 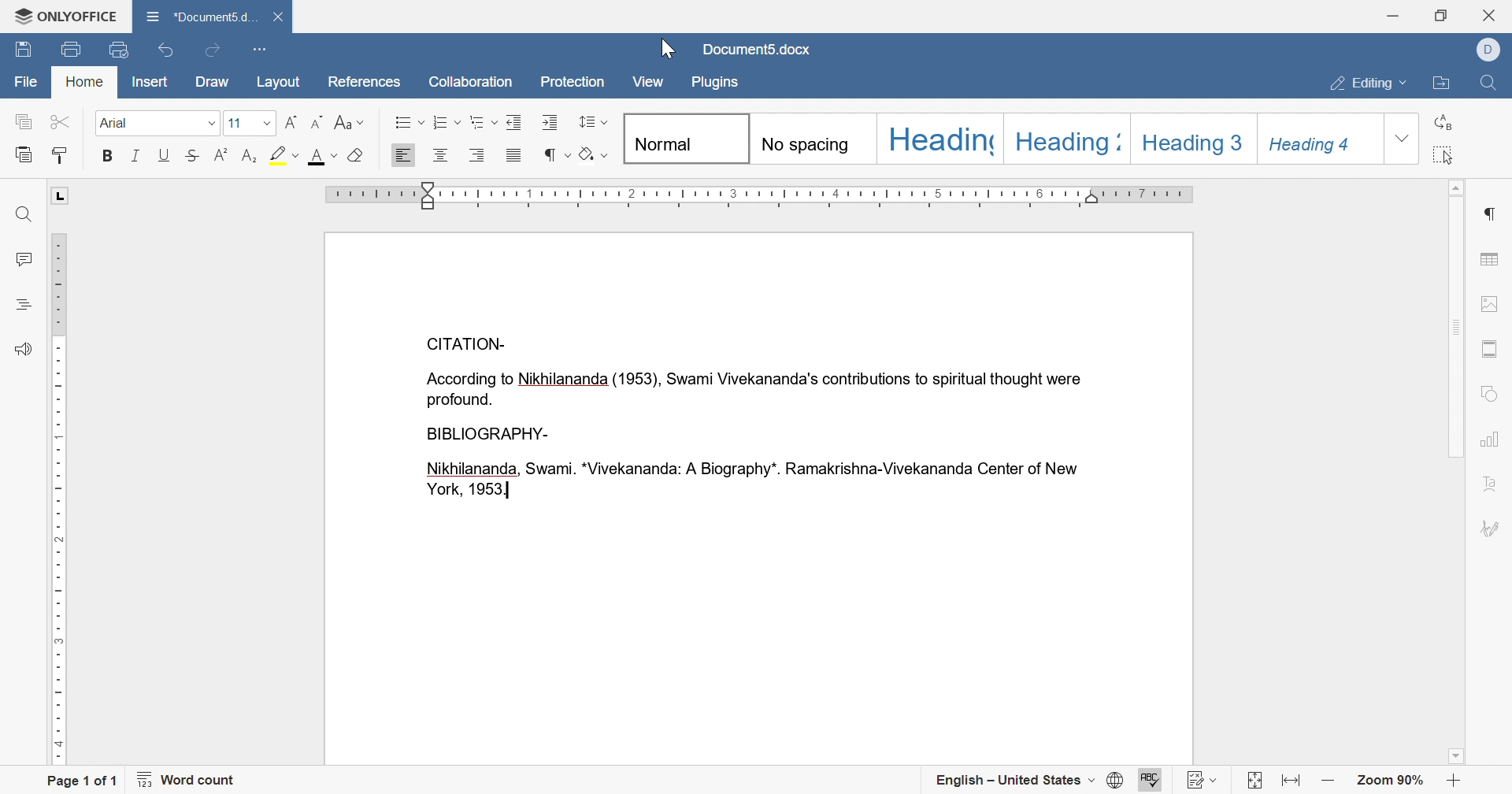 What do you see at coordinates (1365, 83) in the screenshot?
I see `editing` at bounding box center [1365, 83].